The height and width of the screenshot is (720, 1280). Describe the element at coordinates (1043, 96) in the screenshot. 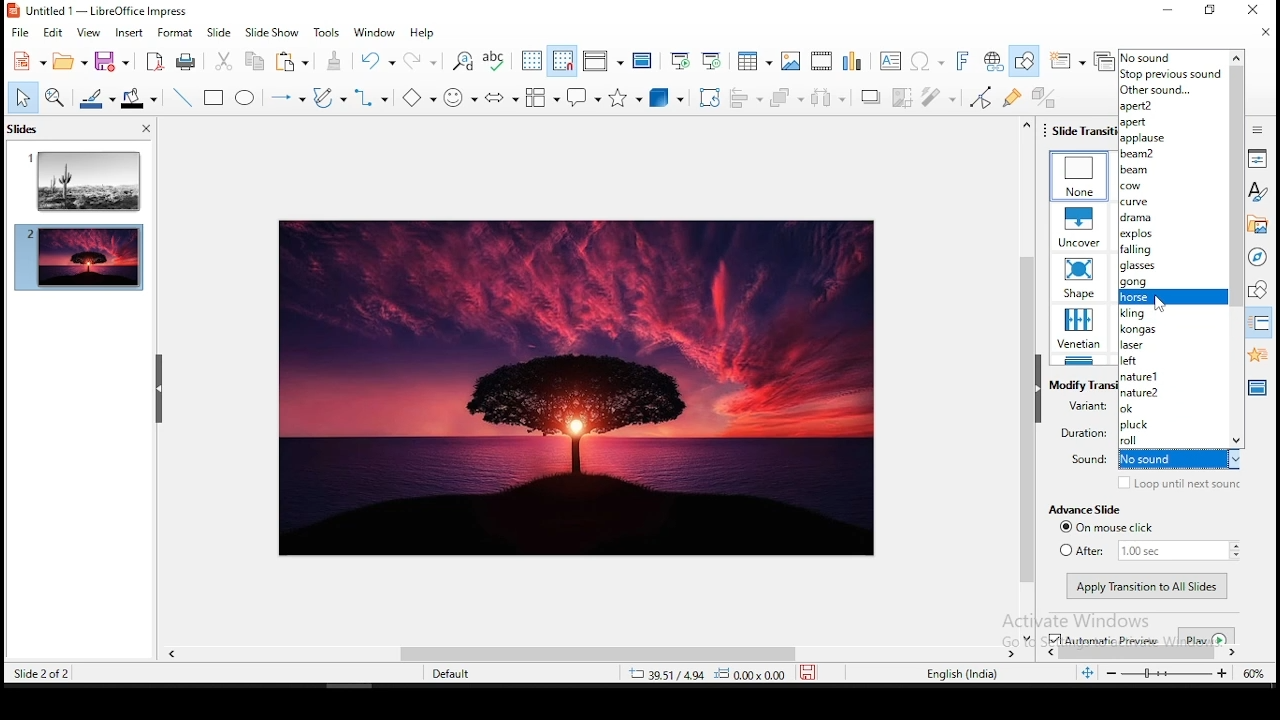

I see `toggle extrusiuon` at that location.